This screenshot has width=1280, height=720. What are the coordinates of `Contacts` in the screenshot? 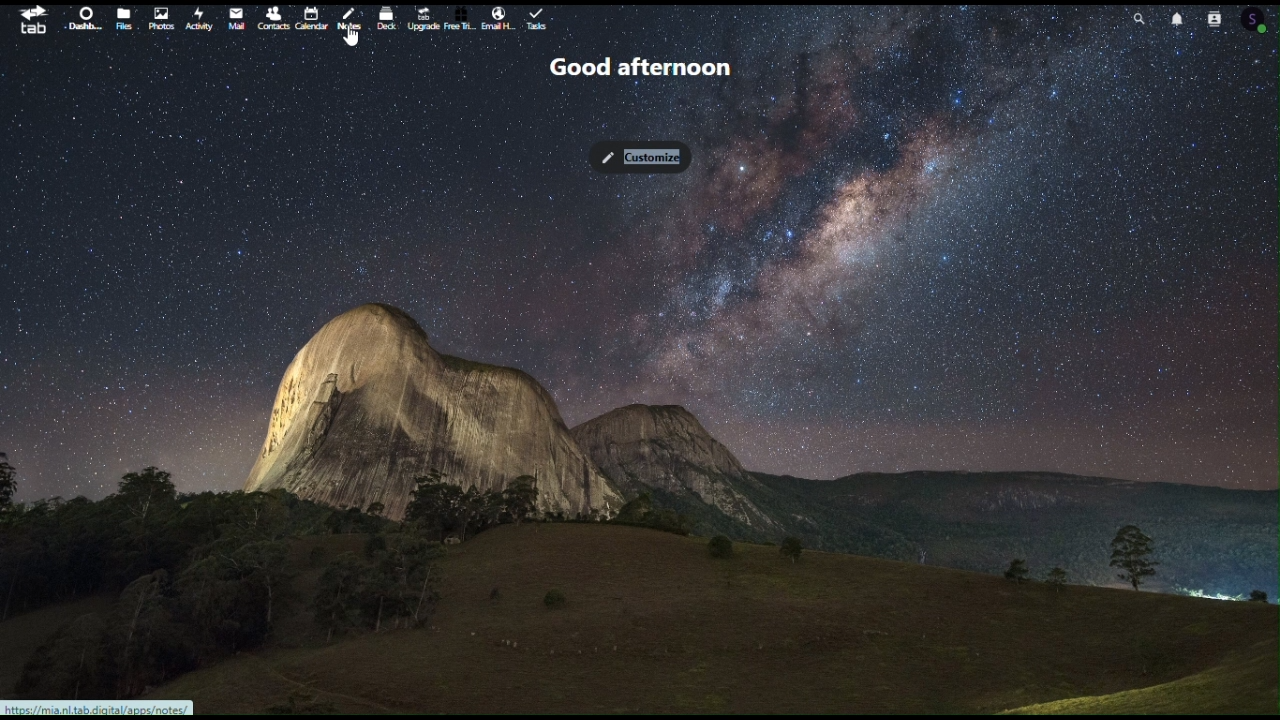 It's located at (1223, 16).